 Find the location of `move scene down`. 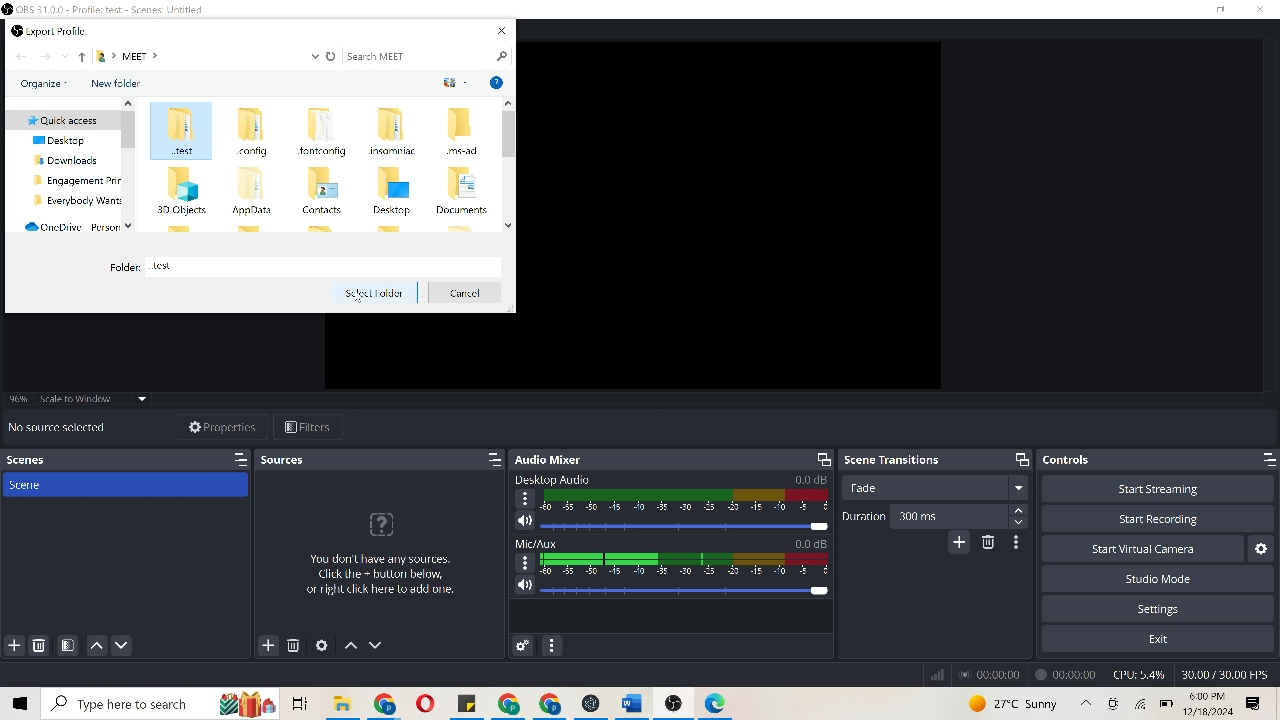

move scene down is located at coordinates (128, 644).